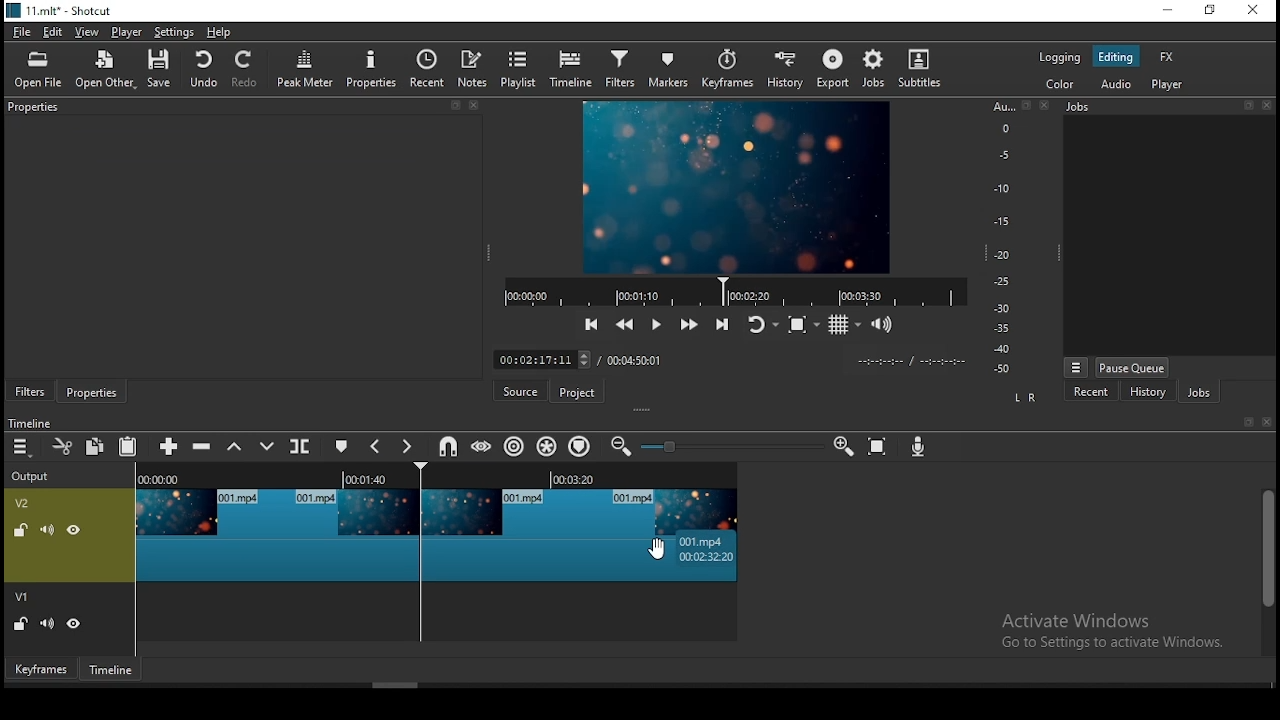  What do you see at coordinates (519, 69) in the screenshot?
I see `playlist` at bounding box center [519, 69].